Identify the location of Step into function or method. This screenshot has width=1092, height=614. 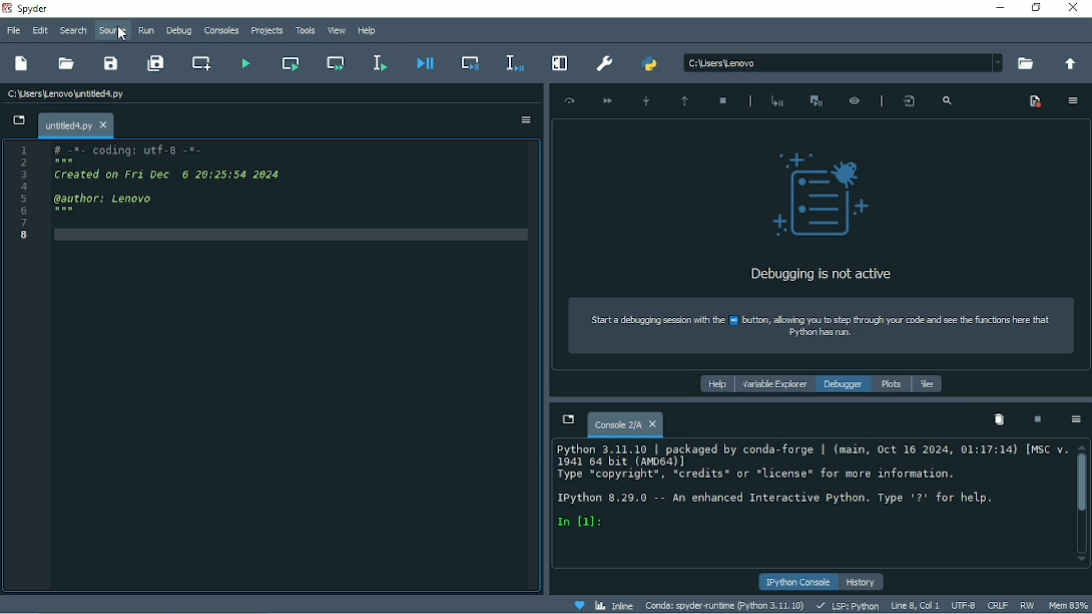
(647, 101).